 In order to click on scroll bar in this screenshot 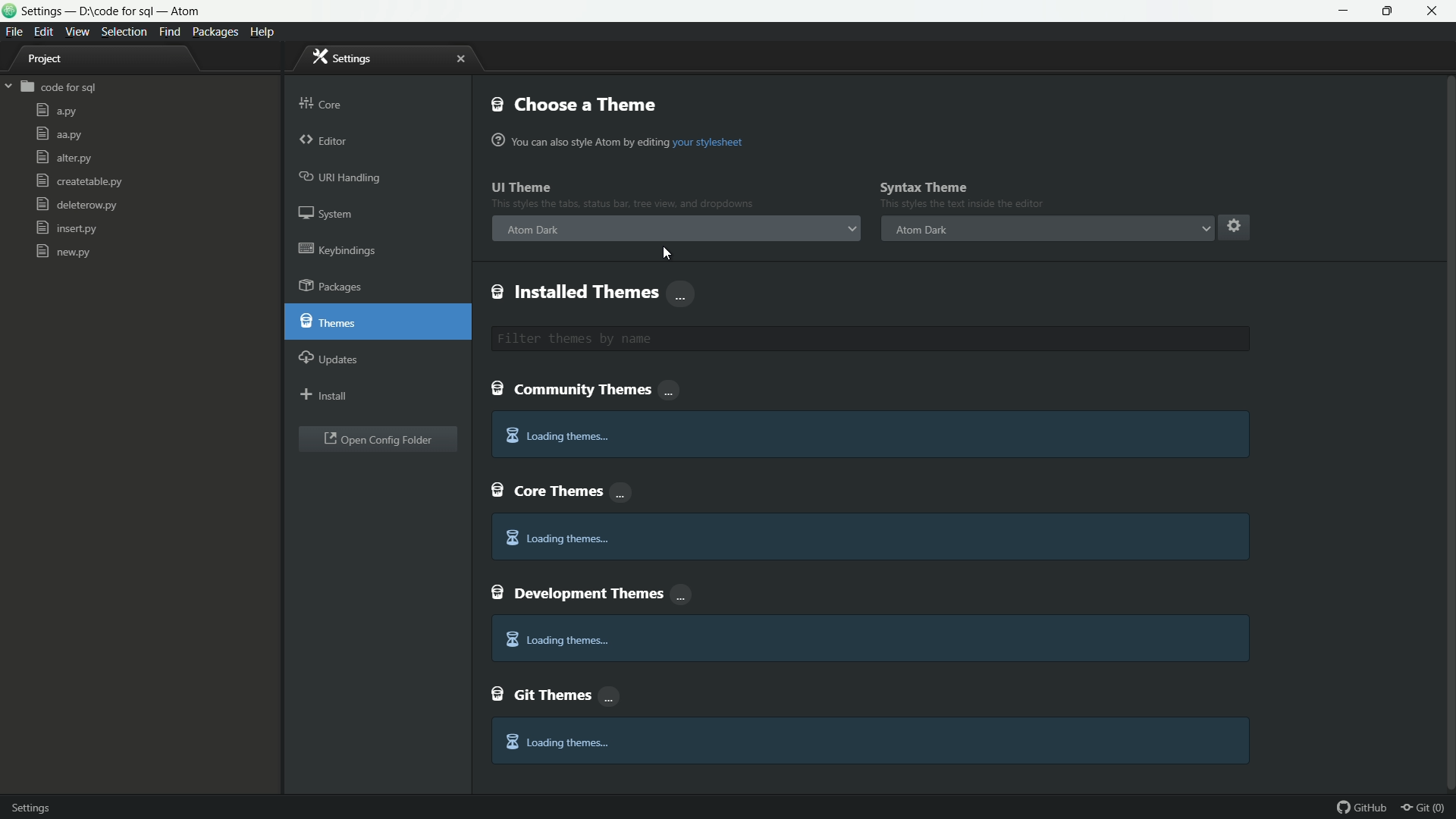, I will do `click(1447, 368)`.